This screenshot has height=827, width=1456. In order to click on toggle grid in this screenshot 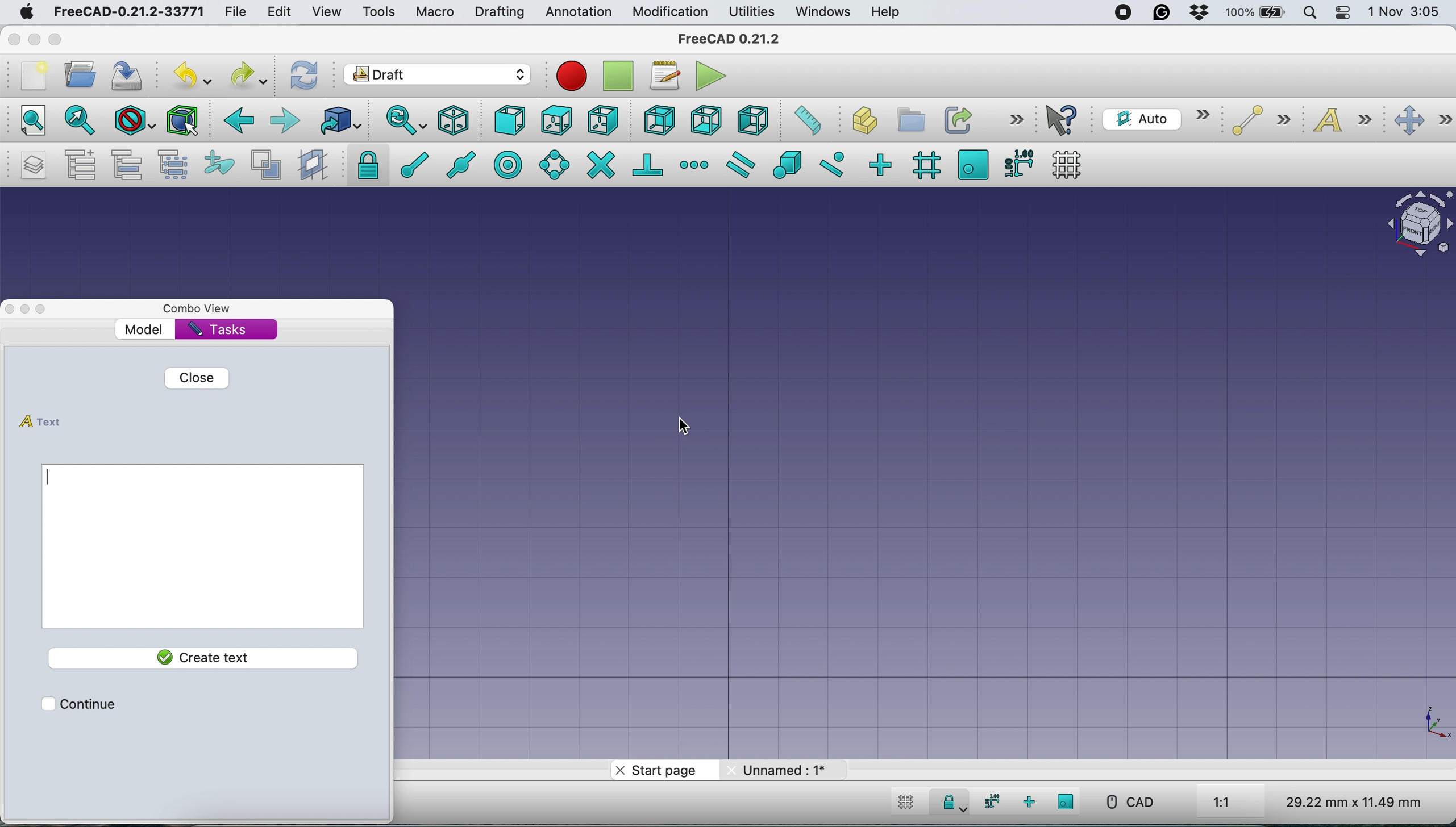, I will do `click(908, 800)`.